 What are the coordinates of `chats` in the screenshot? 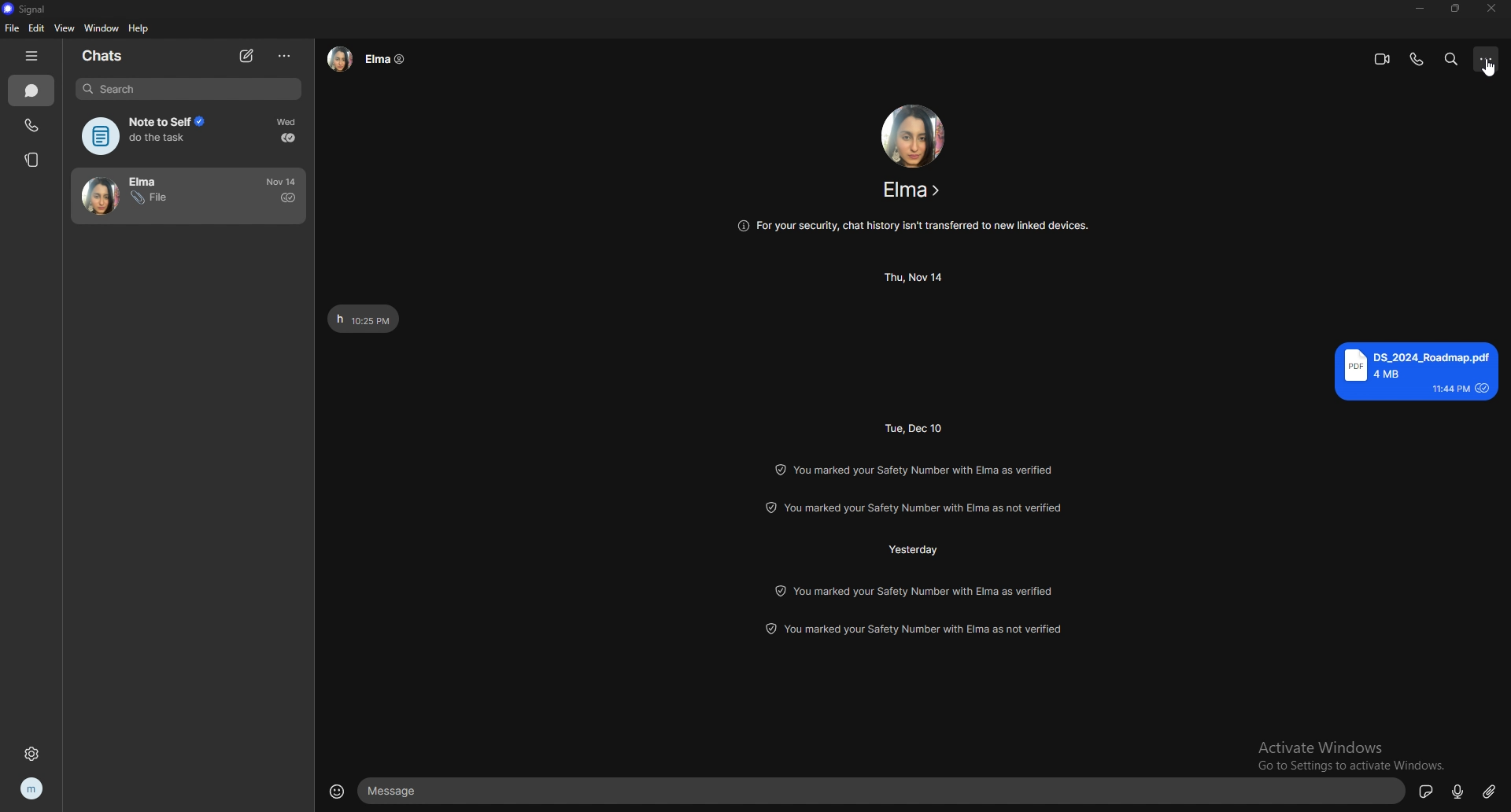 It's located at (32, 90).